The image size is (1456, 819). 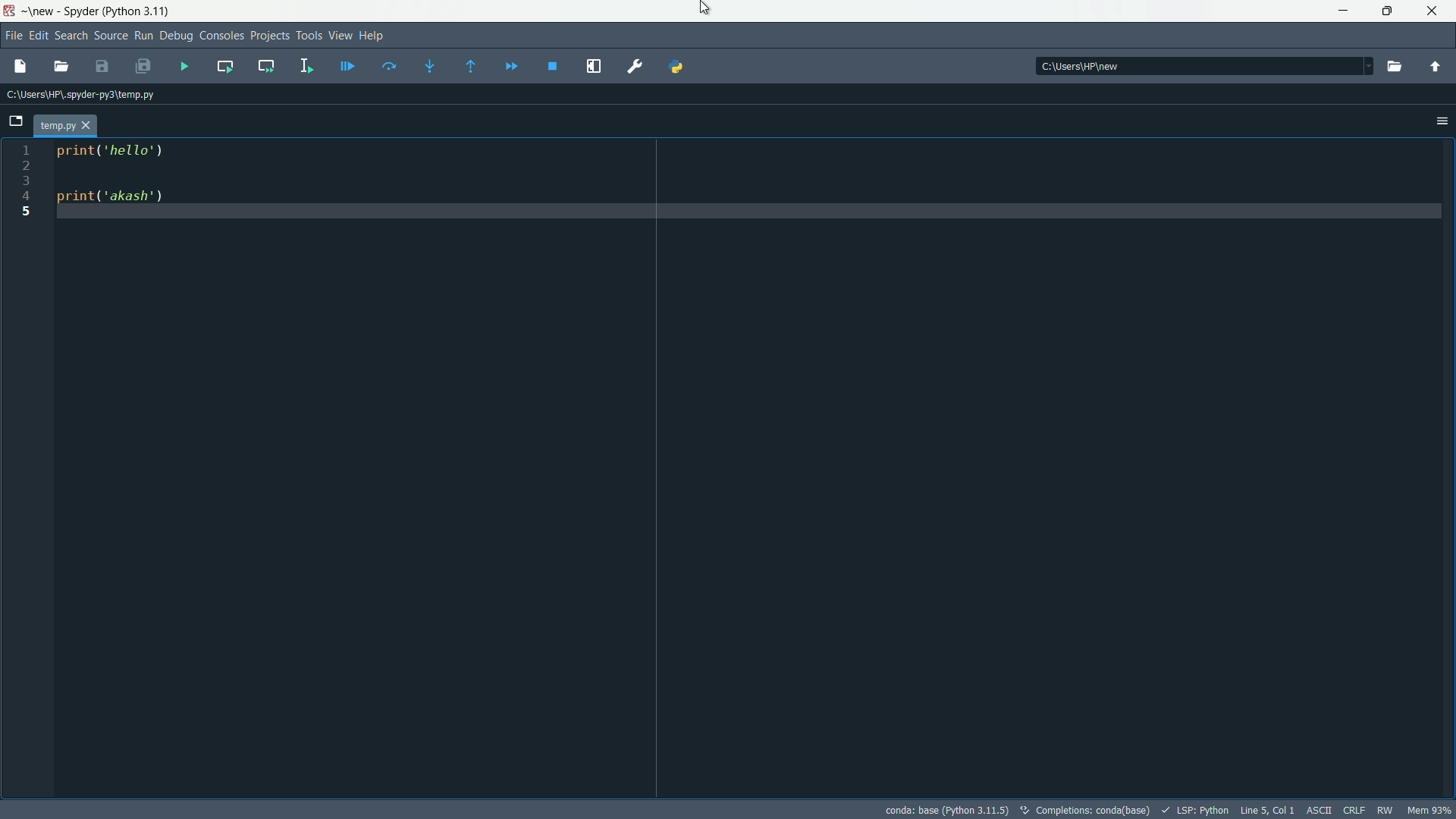 I want to click on app name, so click(x=79, y=11).